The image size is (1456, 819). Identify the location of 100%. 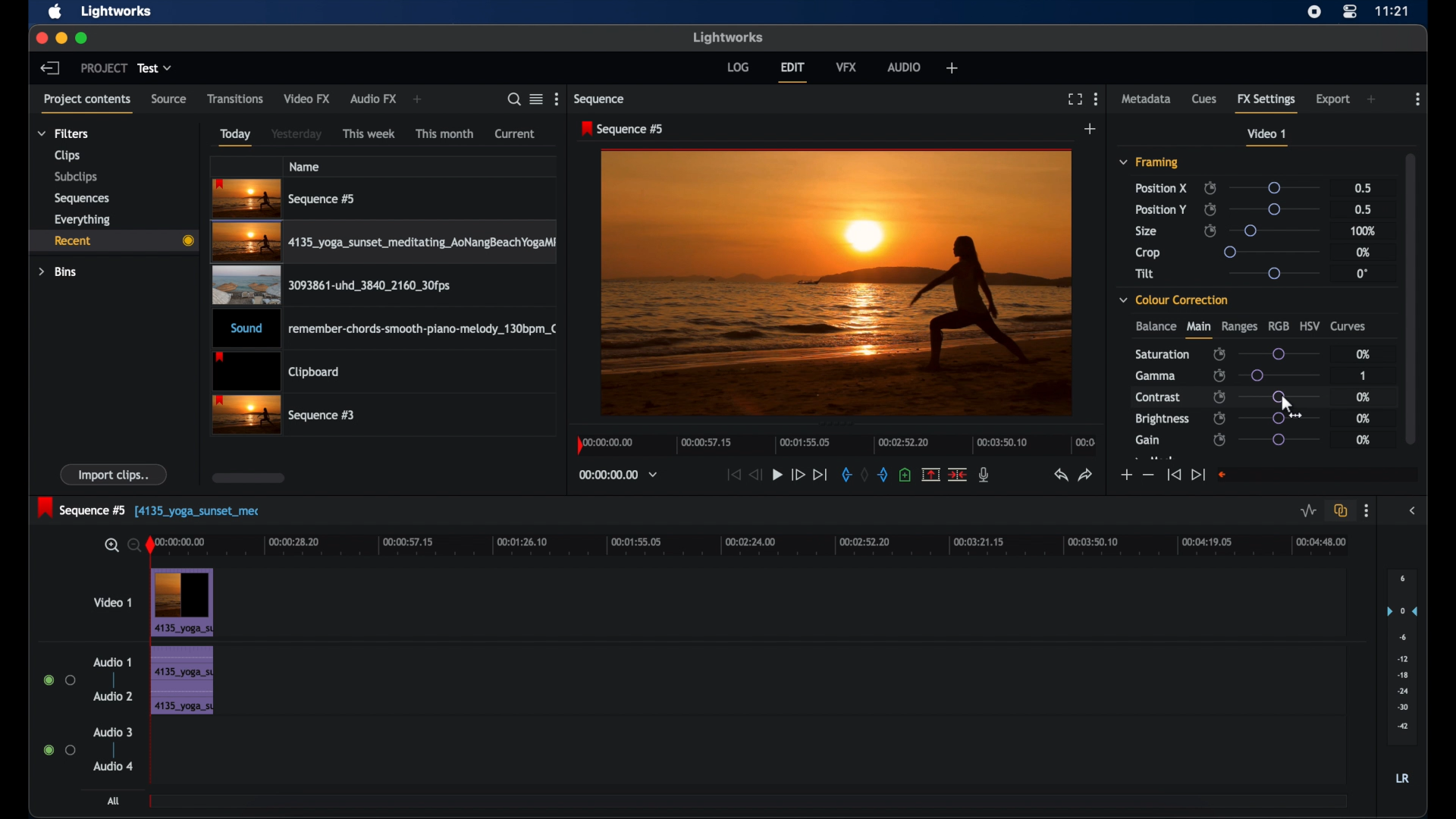
(1363, 232).